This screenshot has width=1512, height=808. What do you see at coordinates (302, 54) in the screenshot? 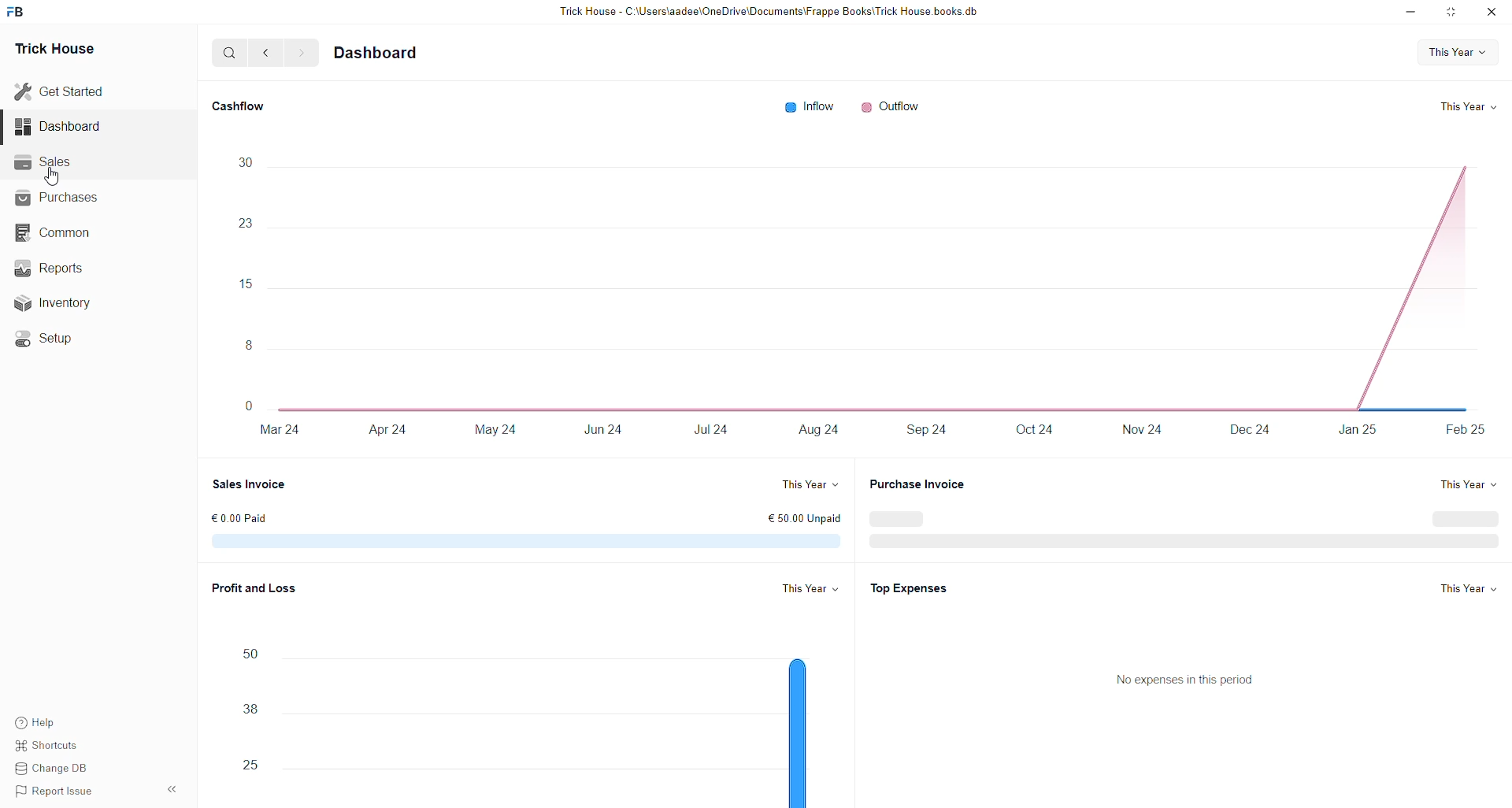
I see `Forward` at bounding box center [302, 54].